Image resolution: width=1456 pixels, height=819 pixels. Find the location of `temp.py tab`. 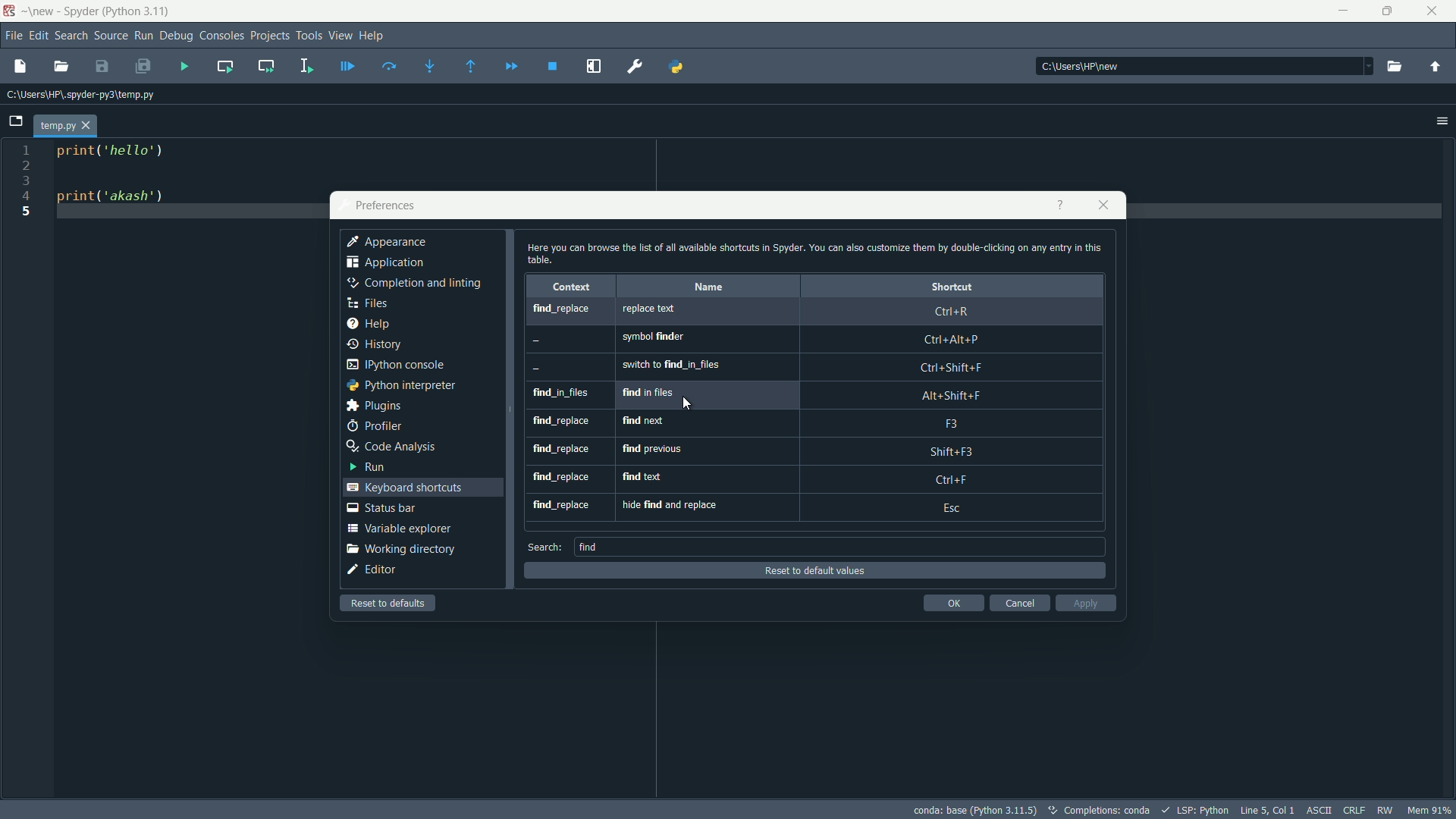

temp.py tab is located at coordinates (64, 126).